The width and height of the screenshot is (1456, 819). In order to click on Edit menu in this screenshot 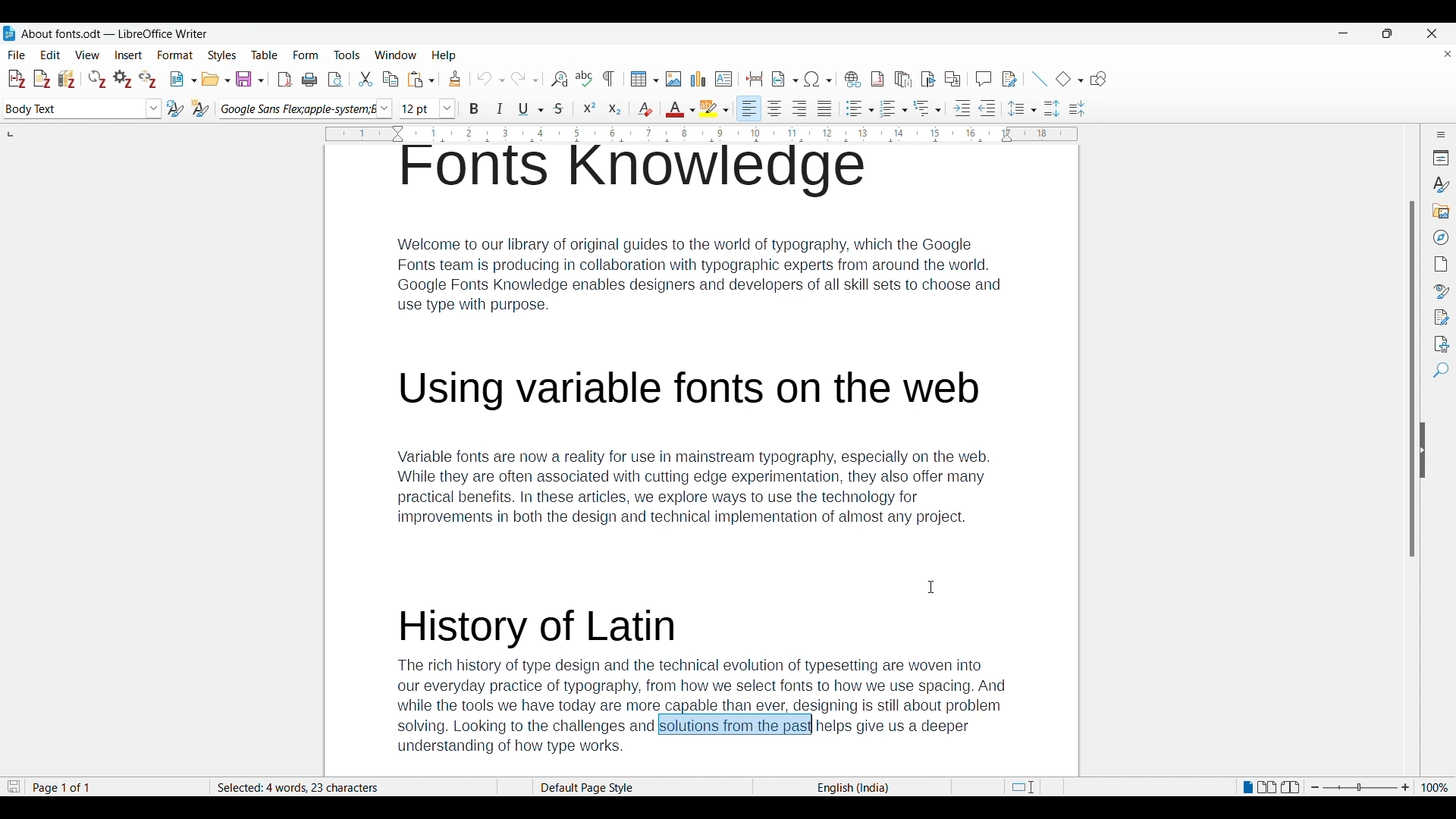, I will do `click(51, 55)`.